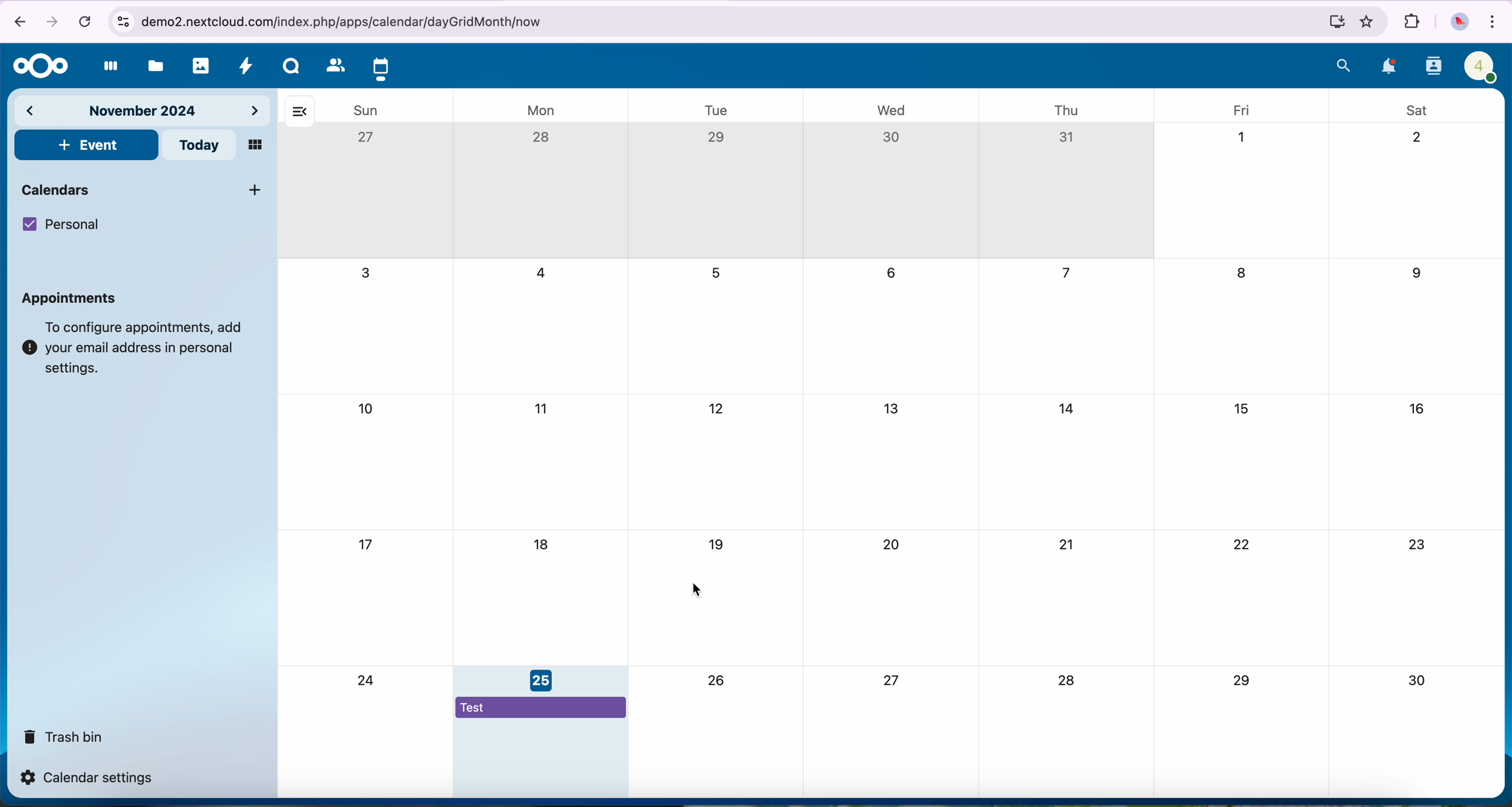 This screenshot has width=1512, height=807. Describe the element at coordinates (1345, 65) in the screenshot. I see `search` at that location.